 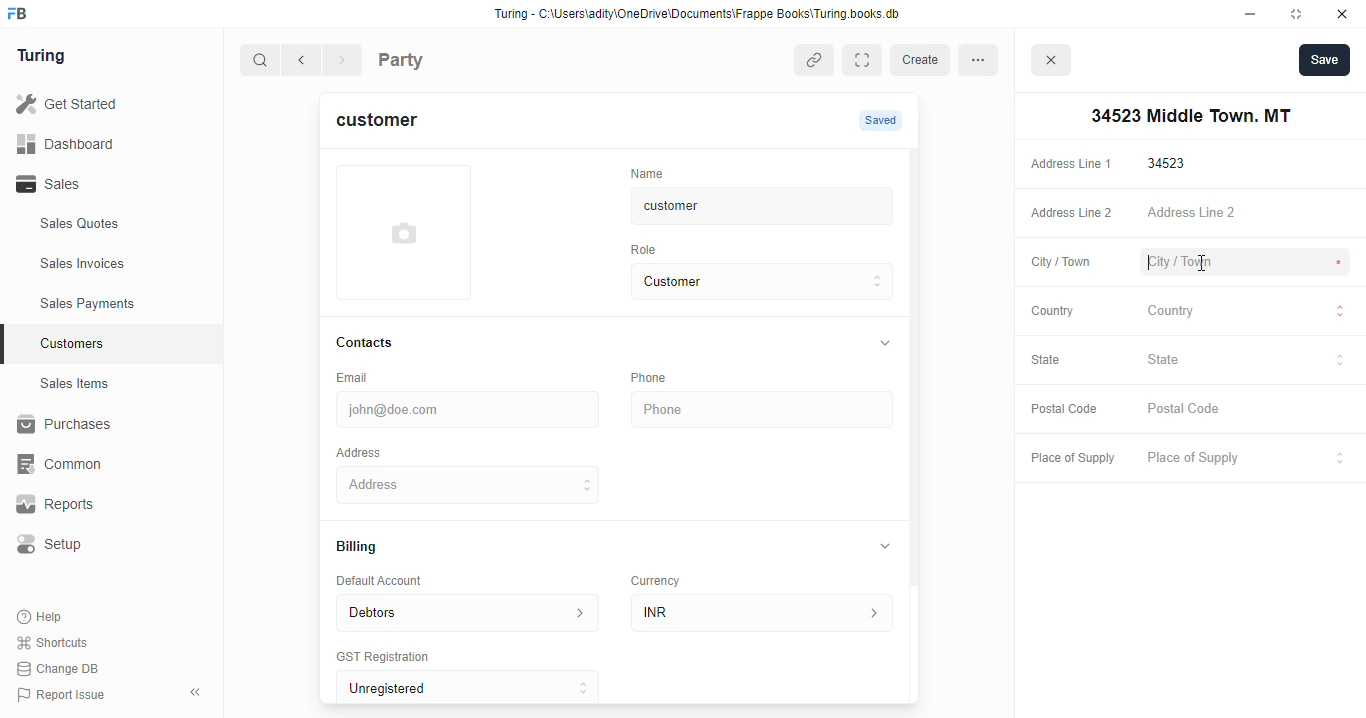 What do you see at coordinates (101, 544) in the screenshot?
I see `Setup` at bounding box center [101, 544].